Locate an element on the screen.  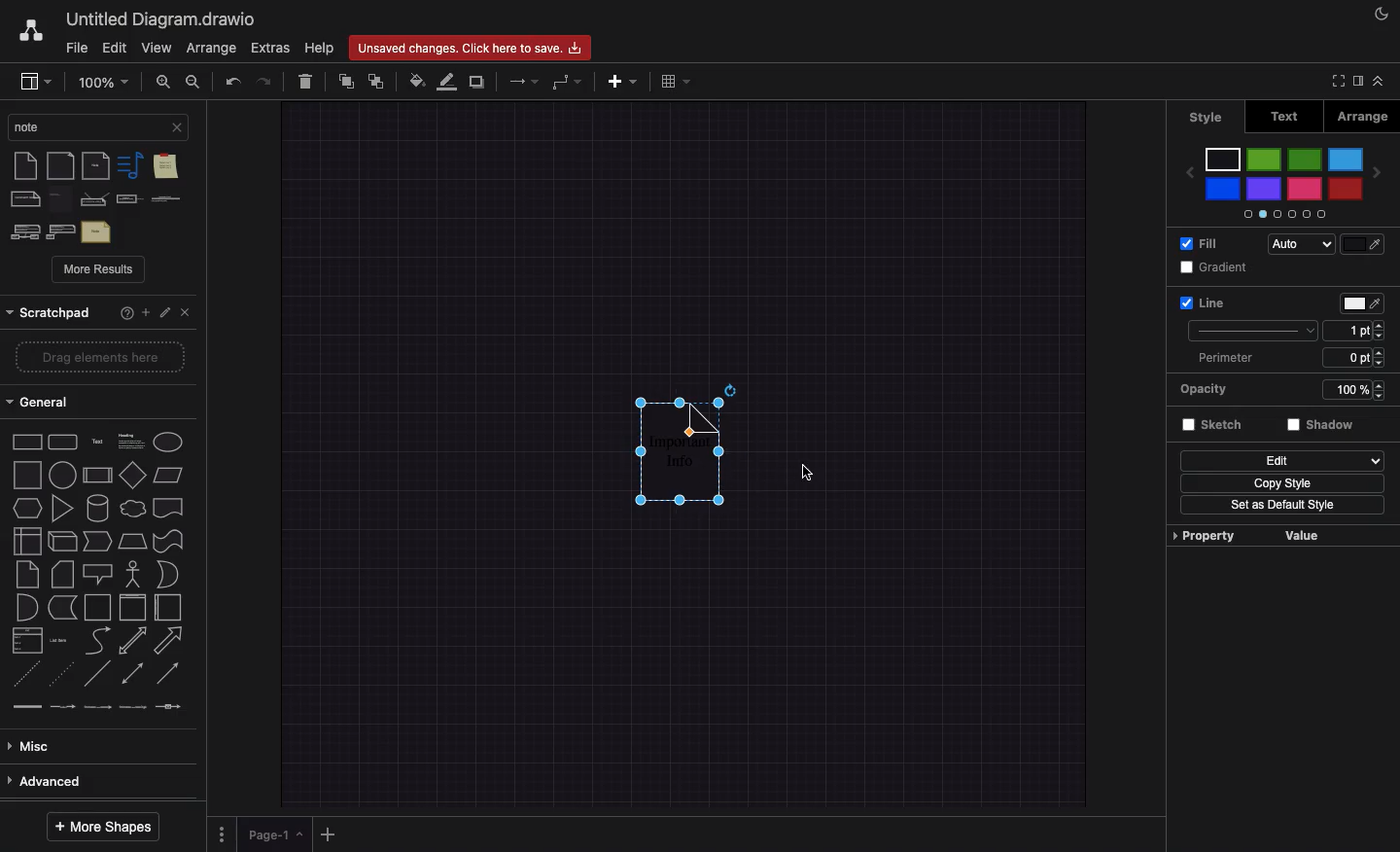
Style is located at coordinates (1207, 118).